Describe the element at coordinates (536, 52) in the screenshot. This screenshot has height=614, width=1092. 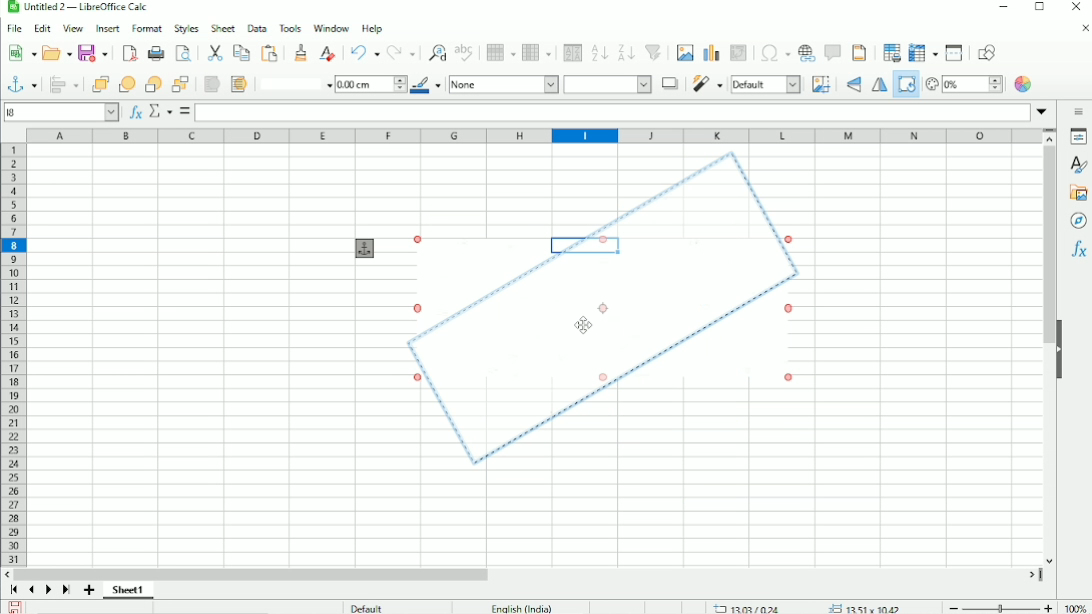
I see `Column` at that location.